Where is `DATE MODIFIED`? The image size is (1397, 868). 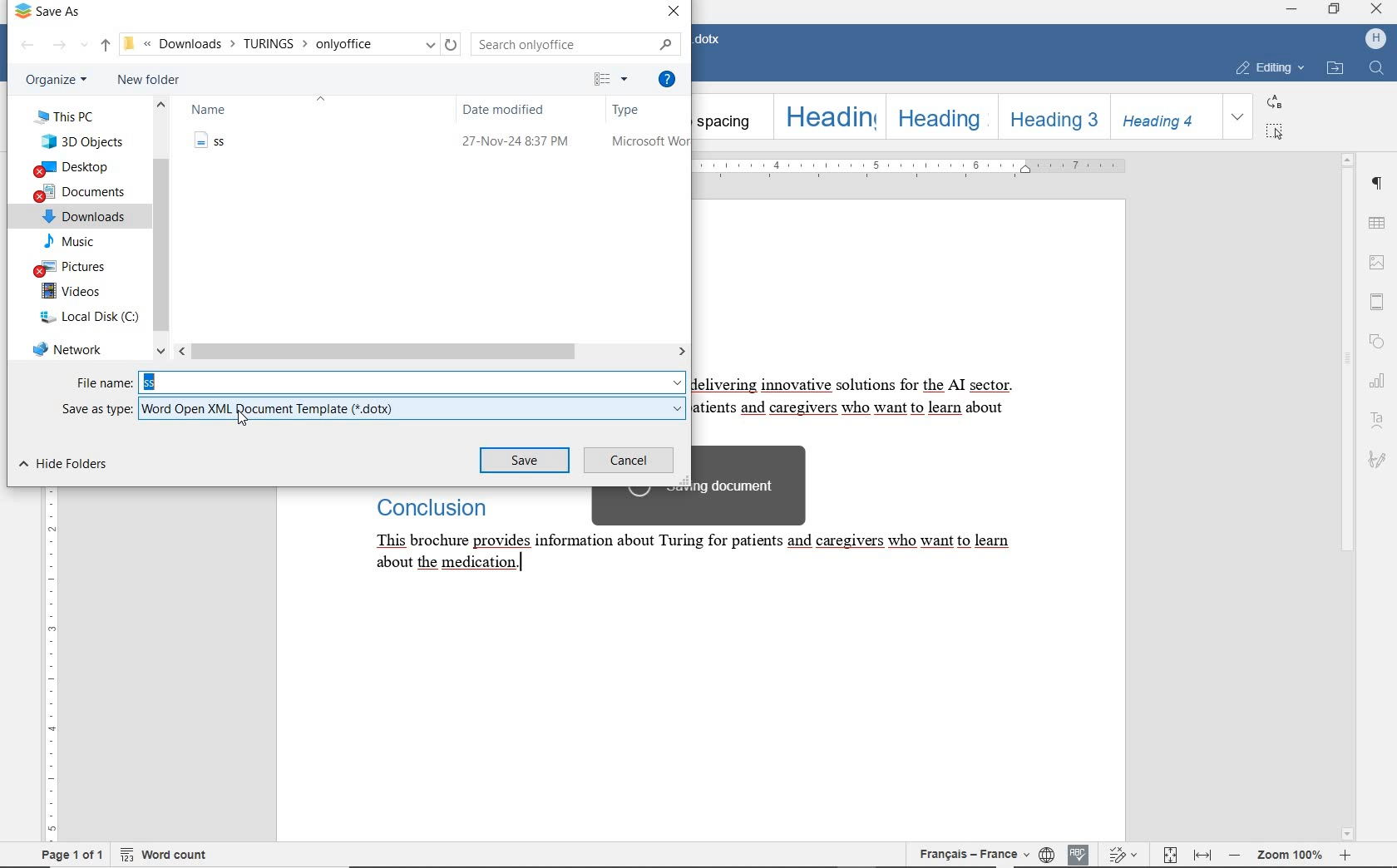 DATE MODIFIED is located at coordinates (515, 111).